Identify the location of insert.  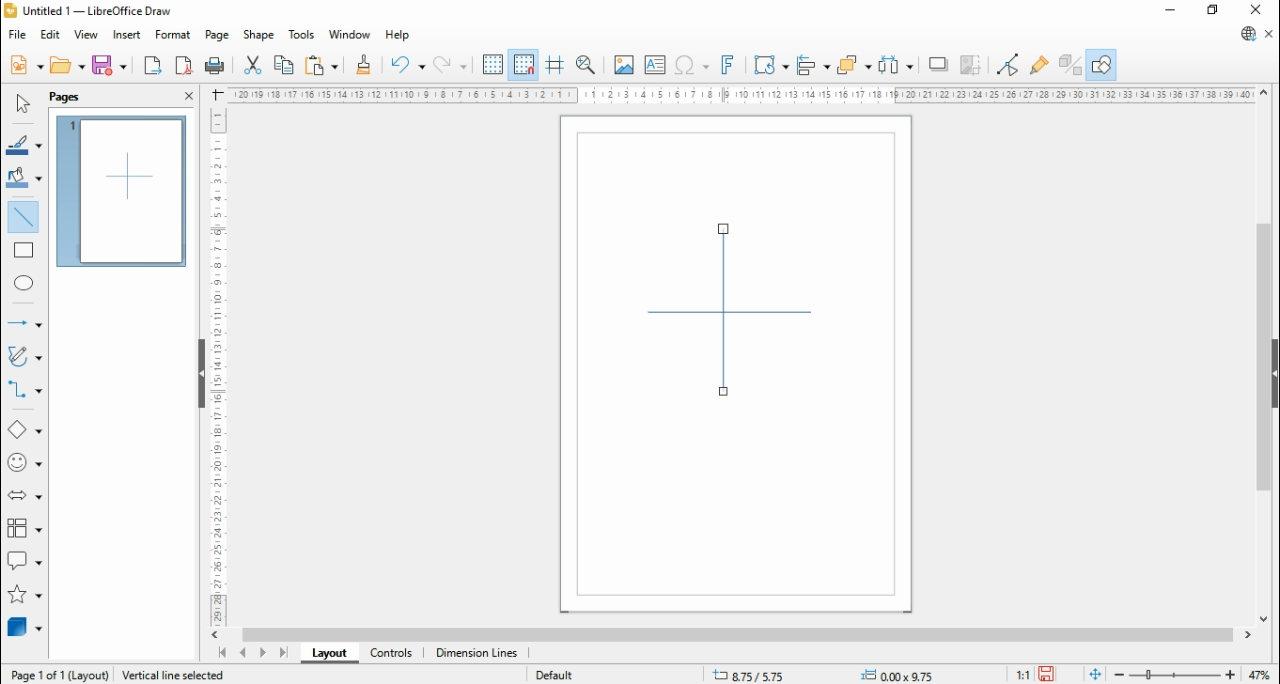
(126, 35).